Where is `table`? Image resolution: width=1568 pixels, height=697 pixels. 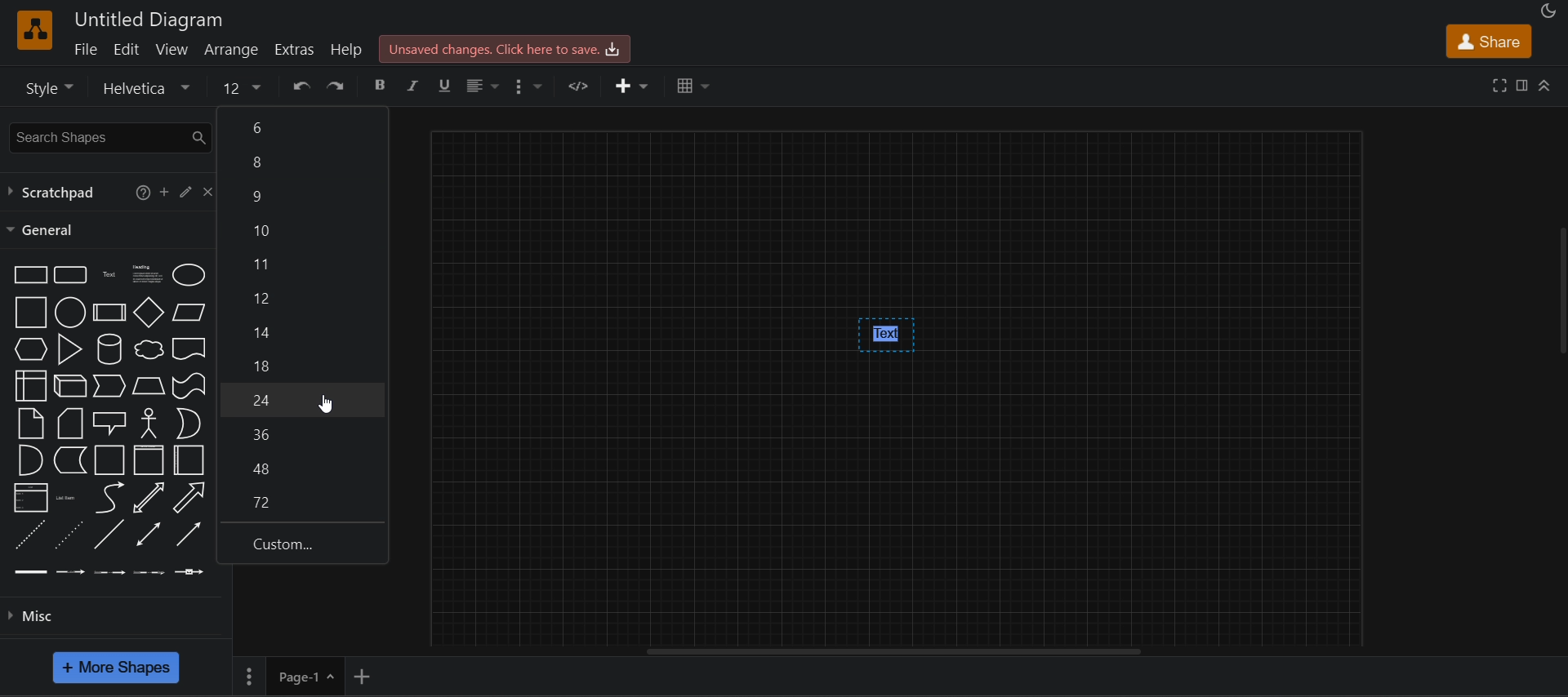
table is located at coordinates (695, 86).